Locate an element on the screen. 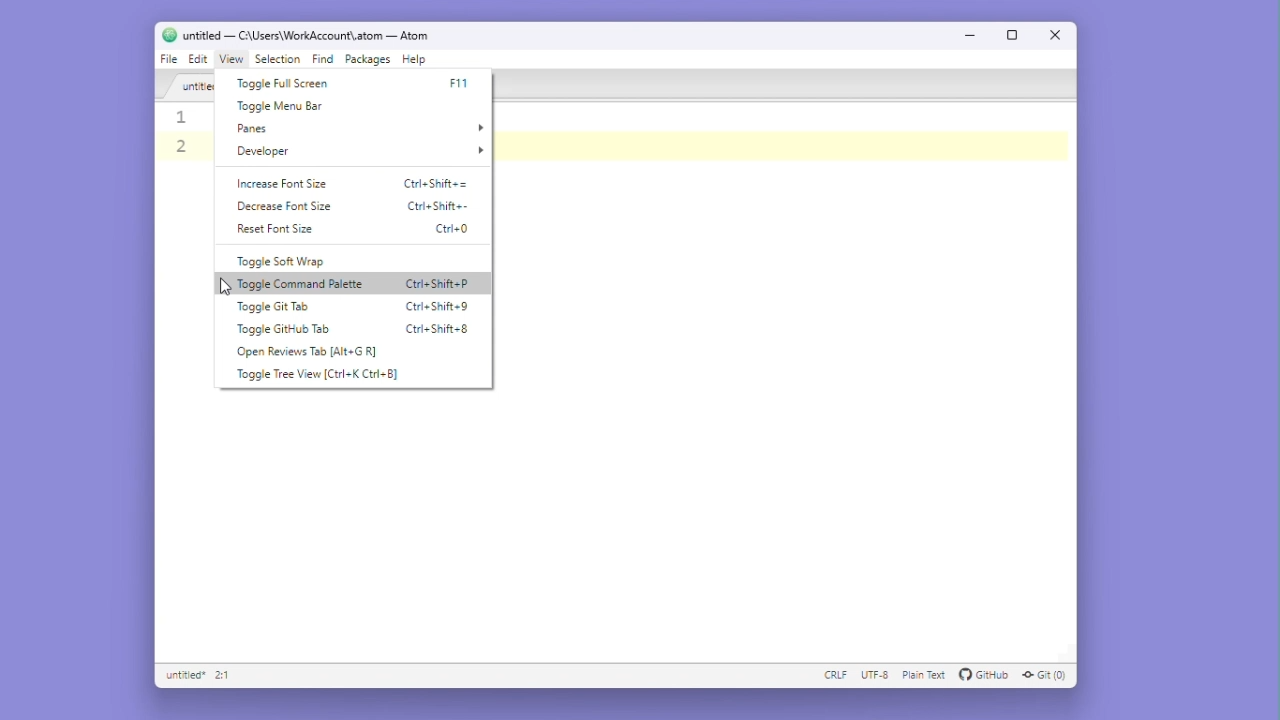 This screenshot has width=1280, height=720. Developer is located at coordinates (361, 154).